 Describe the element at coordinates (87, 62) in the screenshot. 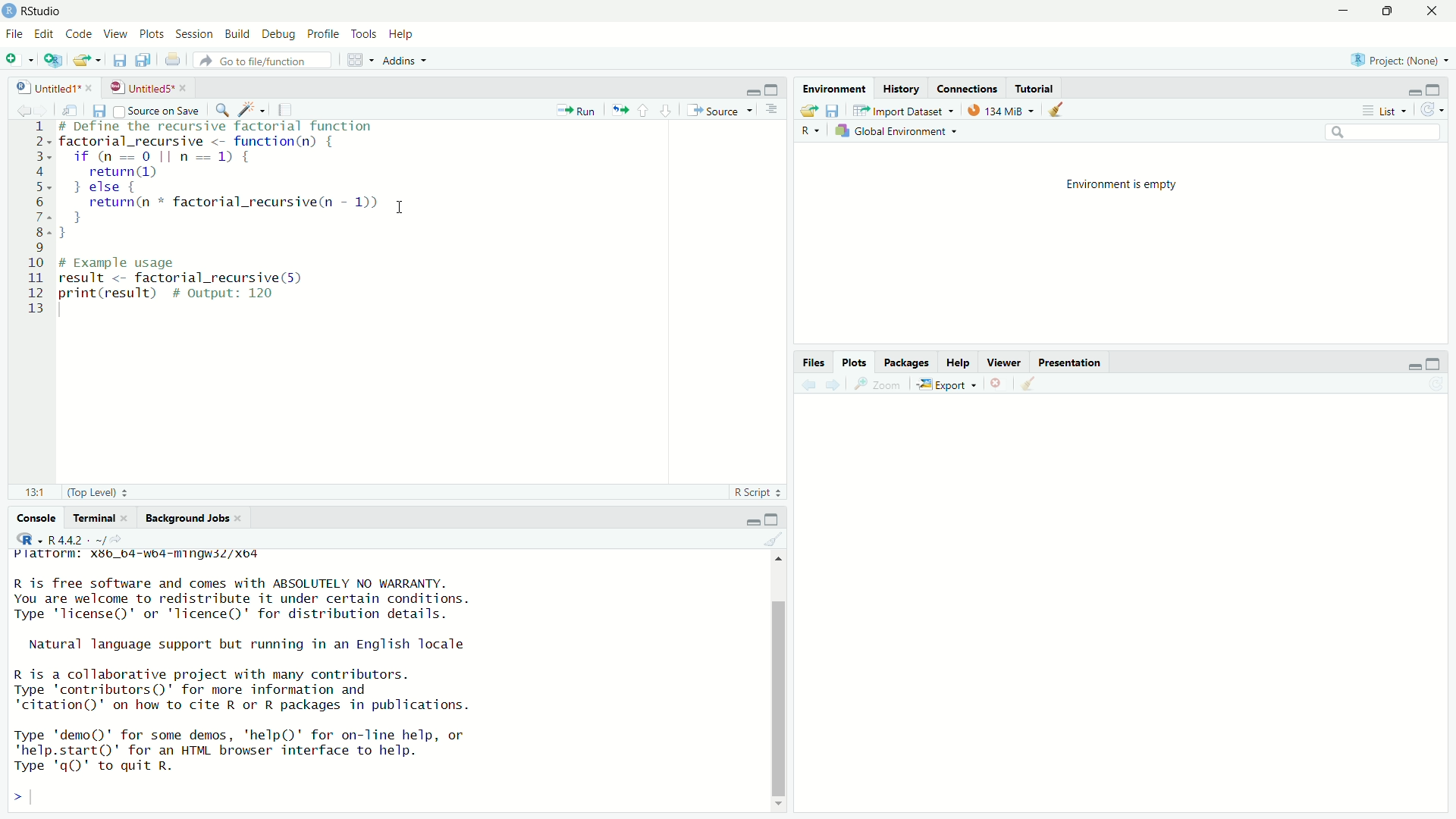

I see `Open an existing file (Ctrl + O)` at that location.